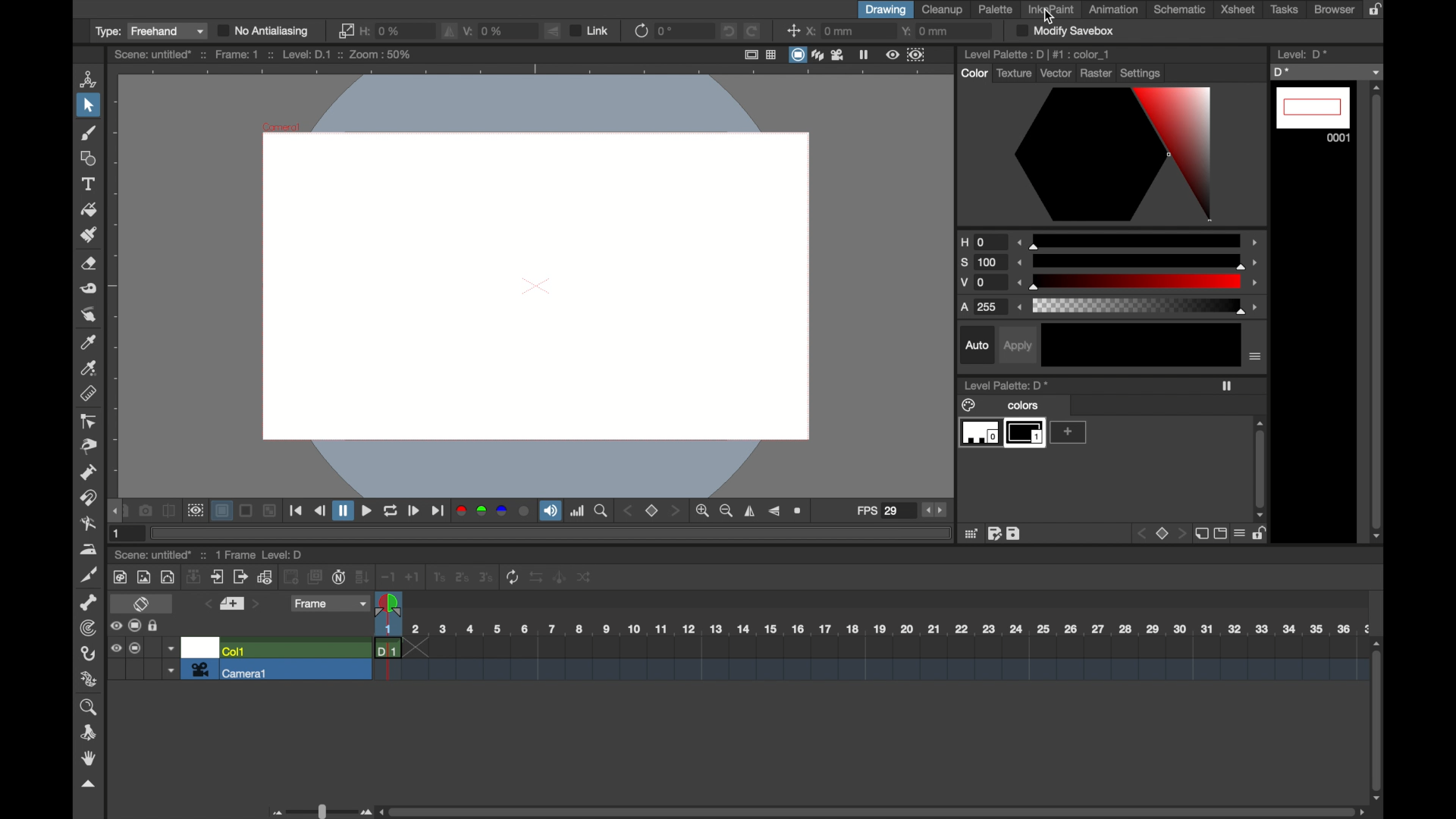 This screenshot has height=819, width=1456. I want to click on dropdown, so click(170, 670).